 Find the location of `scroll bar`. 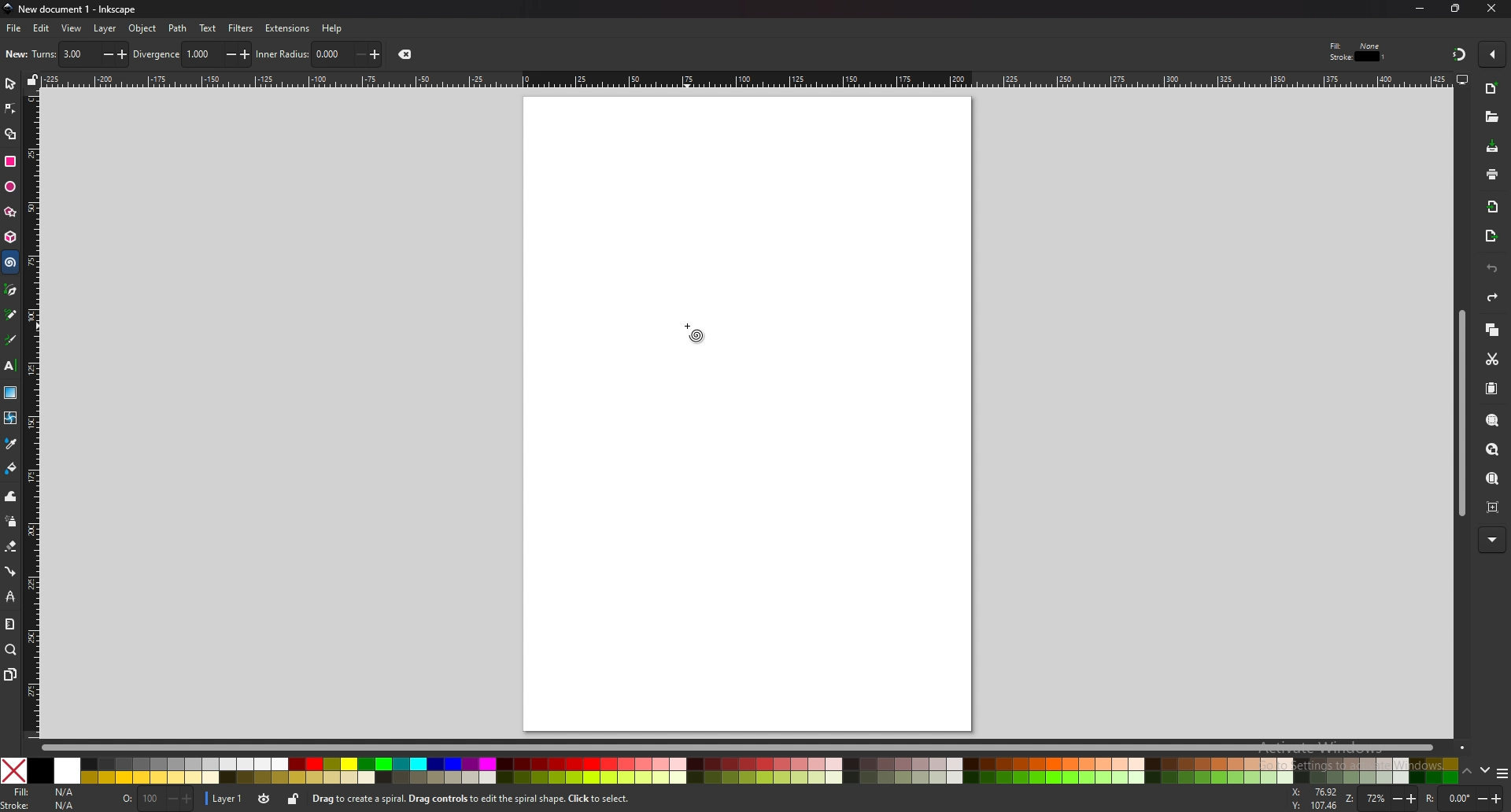

scroll bar is located at coordinates (752, 747).